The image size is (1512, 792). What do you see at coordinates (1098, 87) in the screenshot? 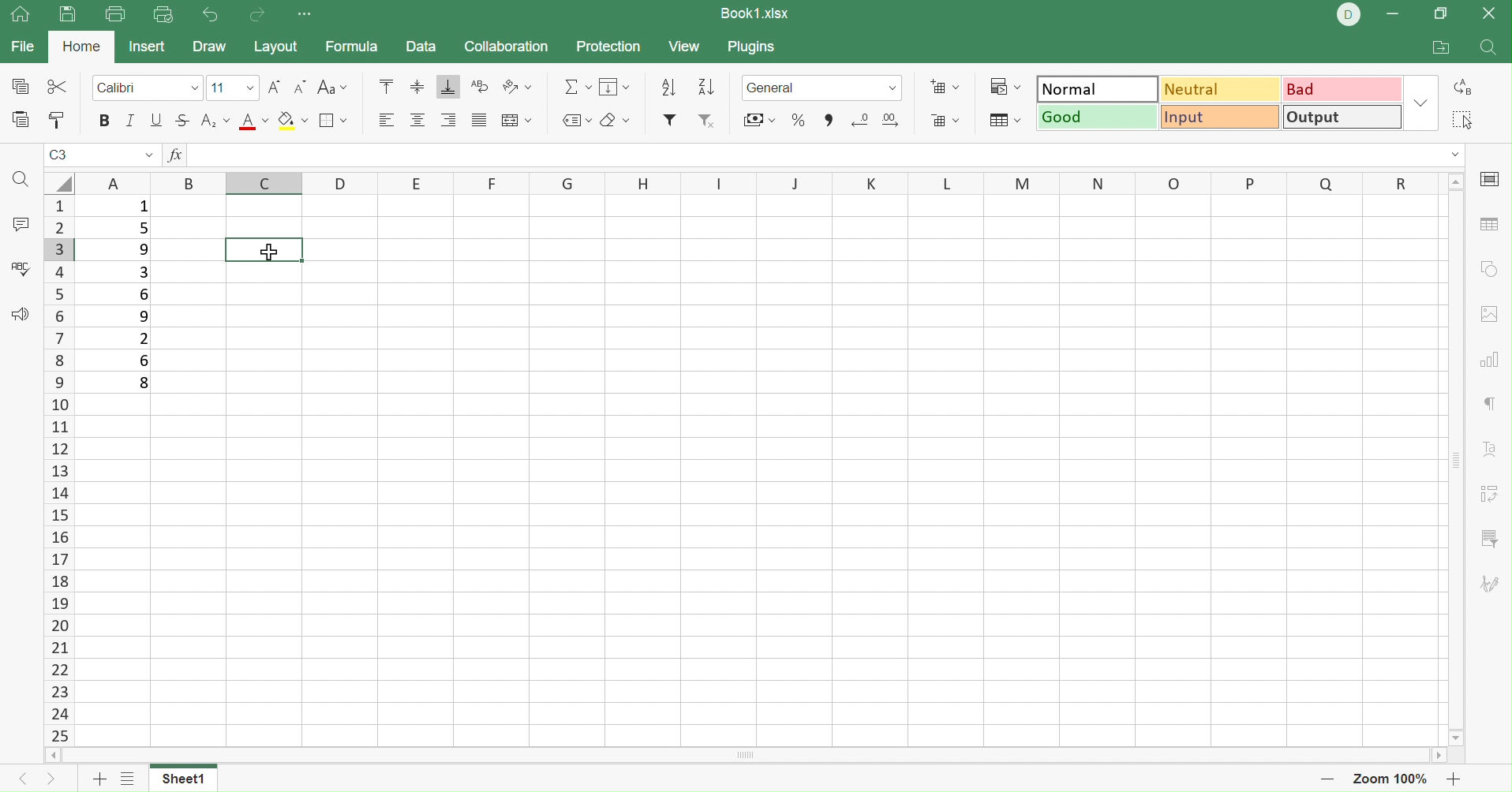
I see `Normal` at bounding box center [1098, 87].